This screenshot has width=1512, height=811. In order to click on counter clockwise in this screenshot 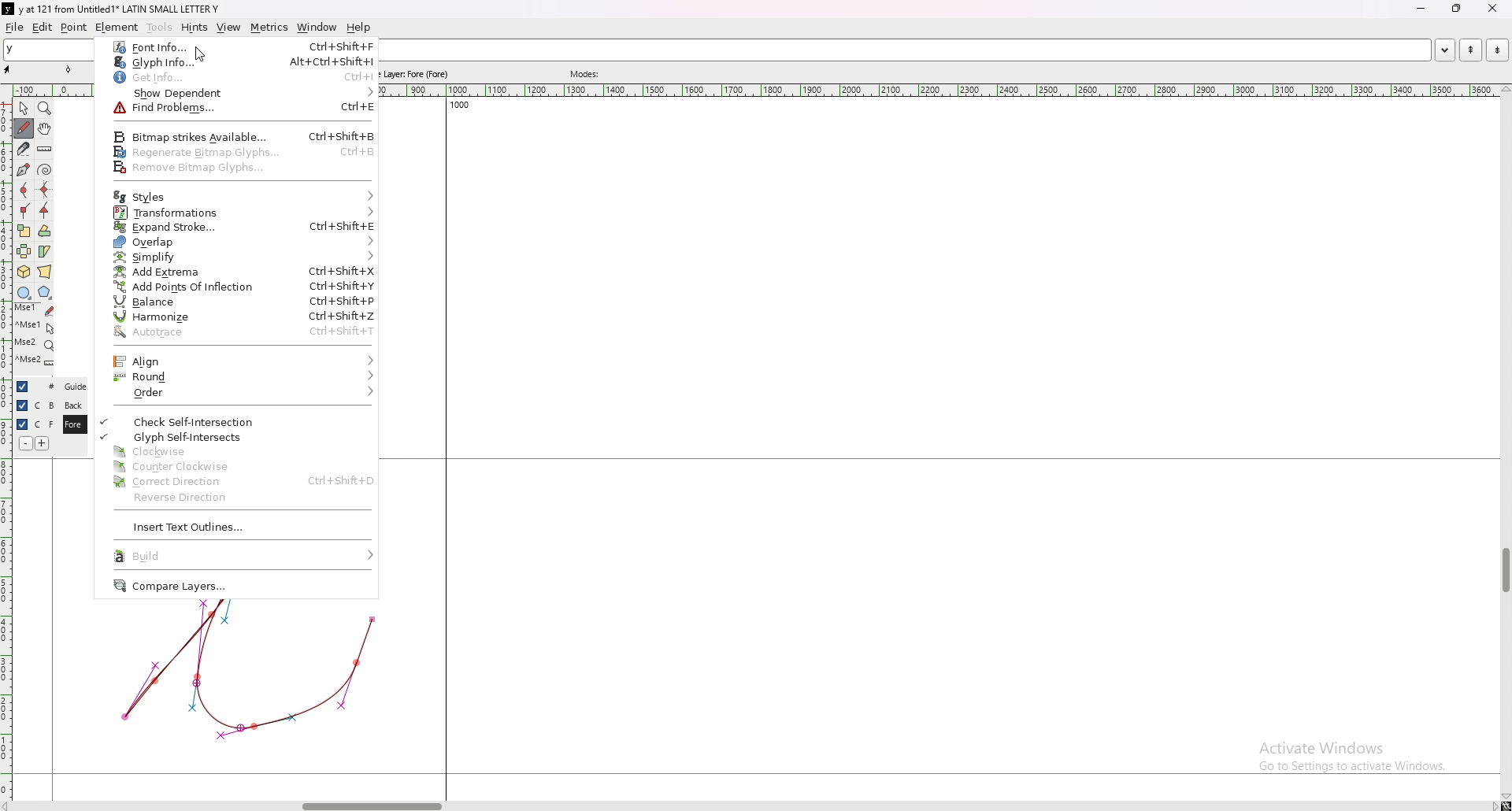, I will do `click(239, 466)`.